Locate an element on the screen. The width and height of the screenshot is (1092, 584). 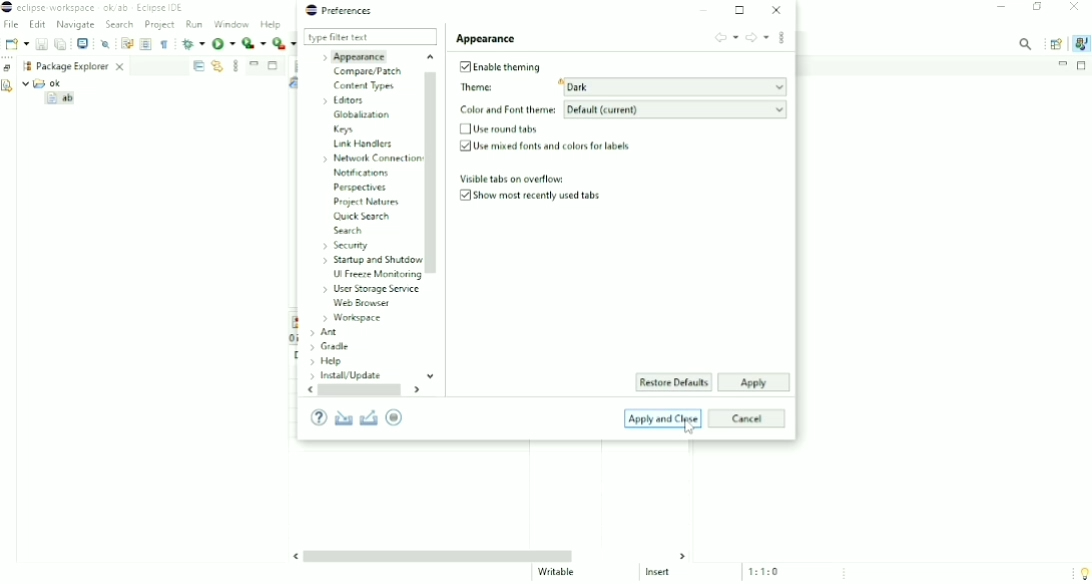
Save All is located at coordinates (61, 44).